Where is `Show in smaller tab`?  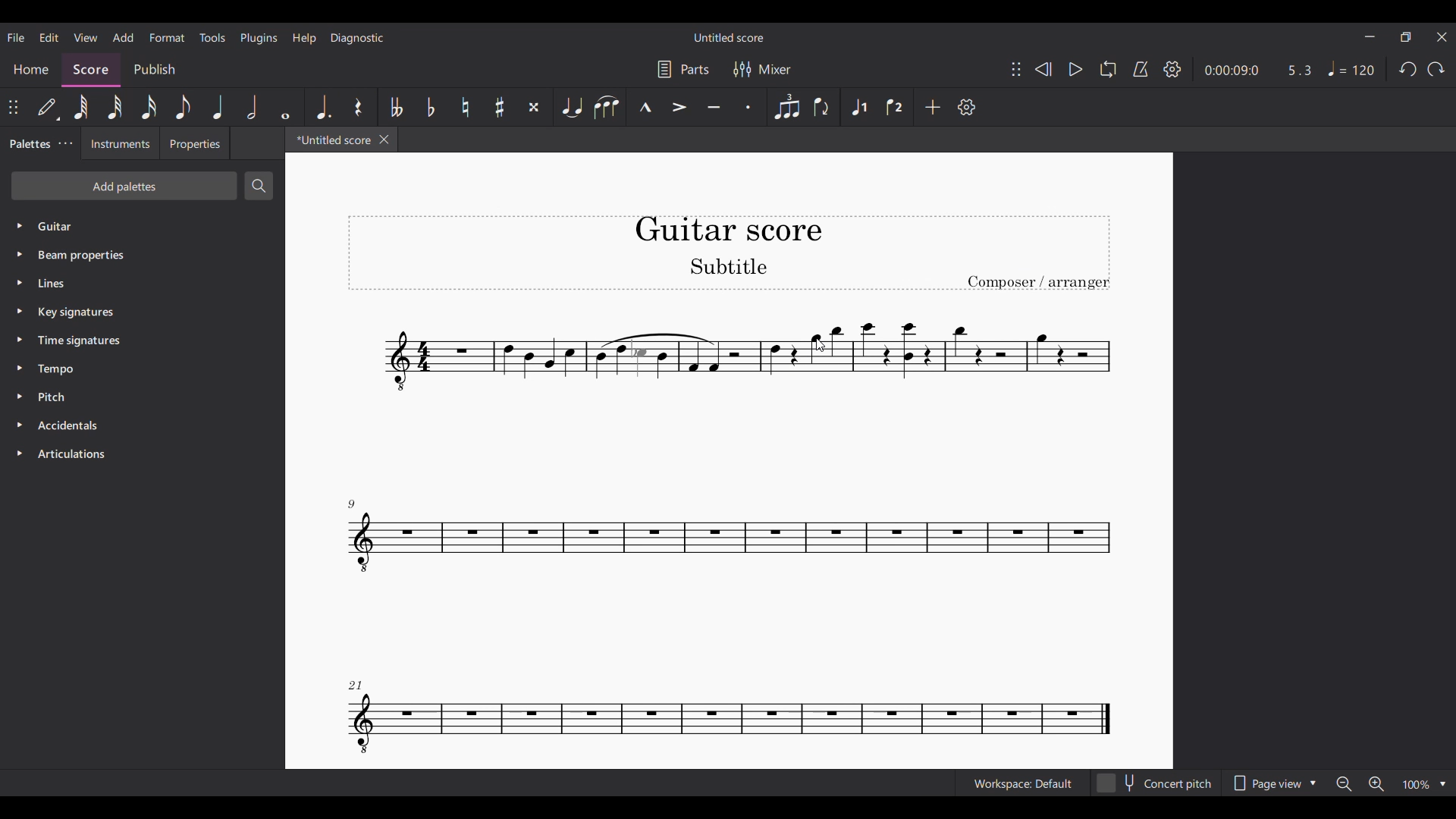
Show in smaller tab is located at coordinates (1406, 37).